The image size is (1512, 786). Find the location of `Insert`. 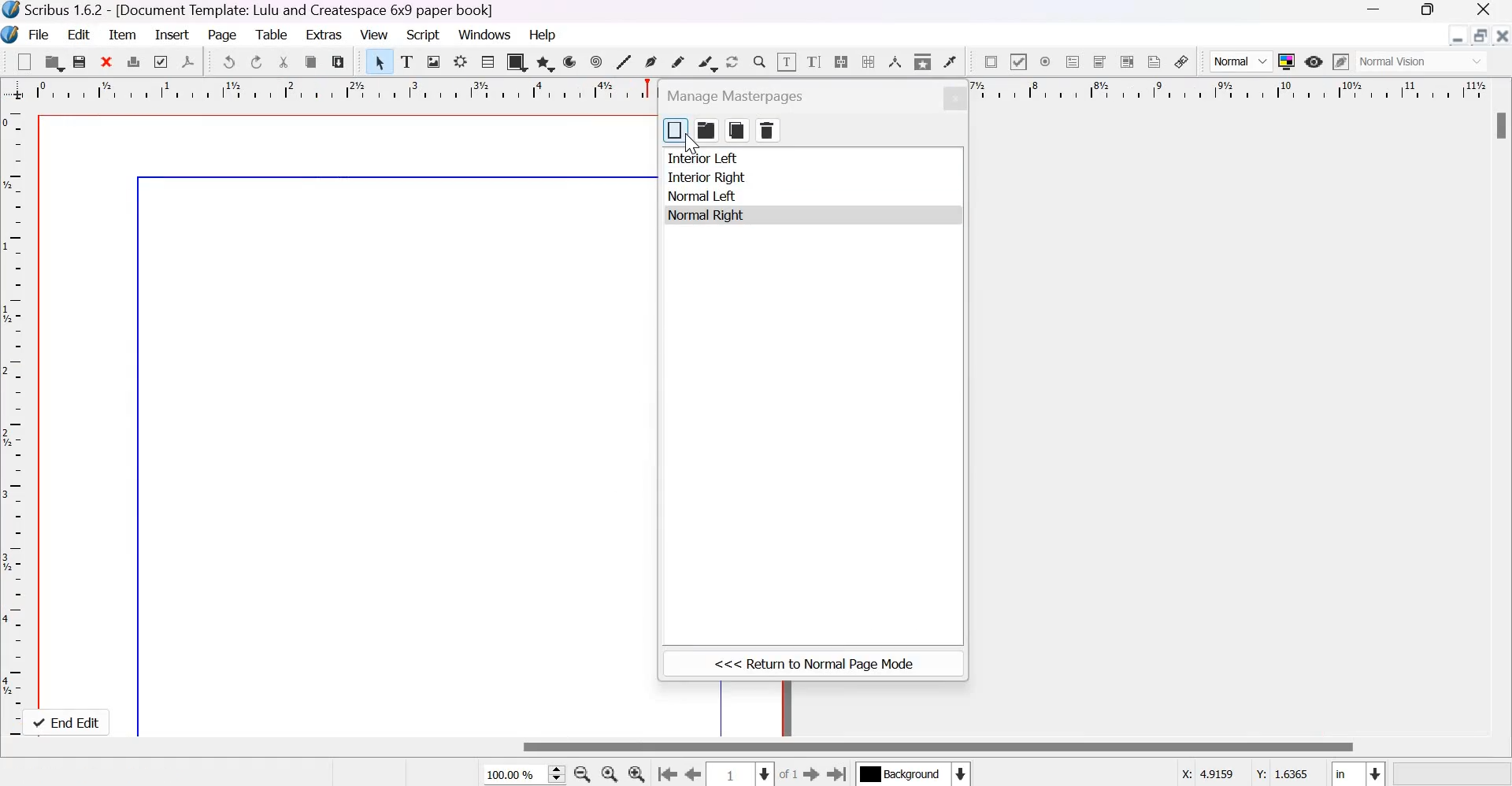

Insert is located at coordinates (172, 35).